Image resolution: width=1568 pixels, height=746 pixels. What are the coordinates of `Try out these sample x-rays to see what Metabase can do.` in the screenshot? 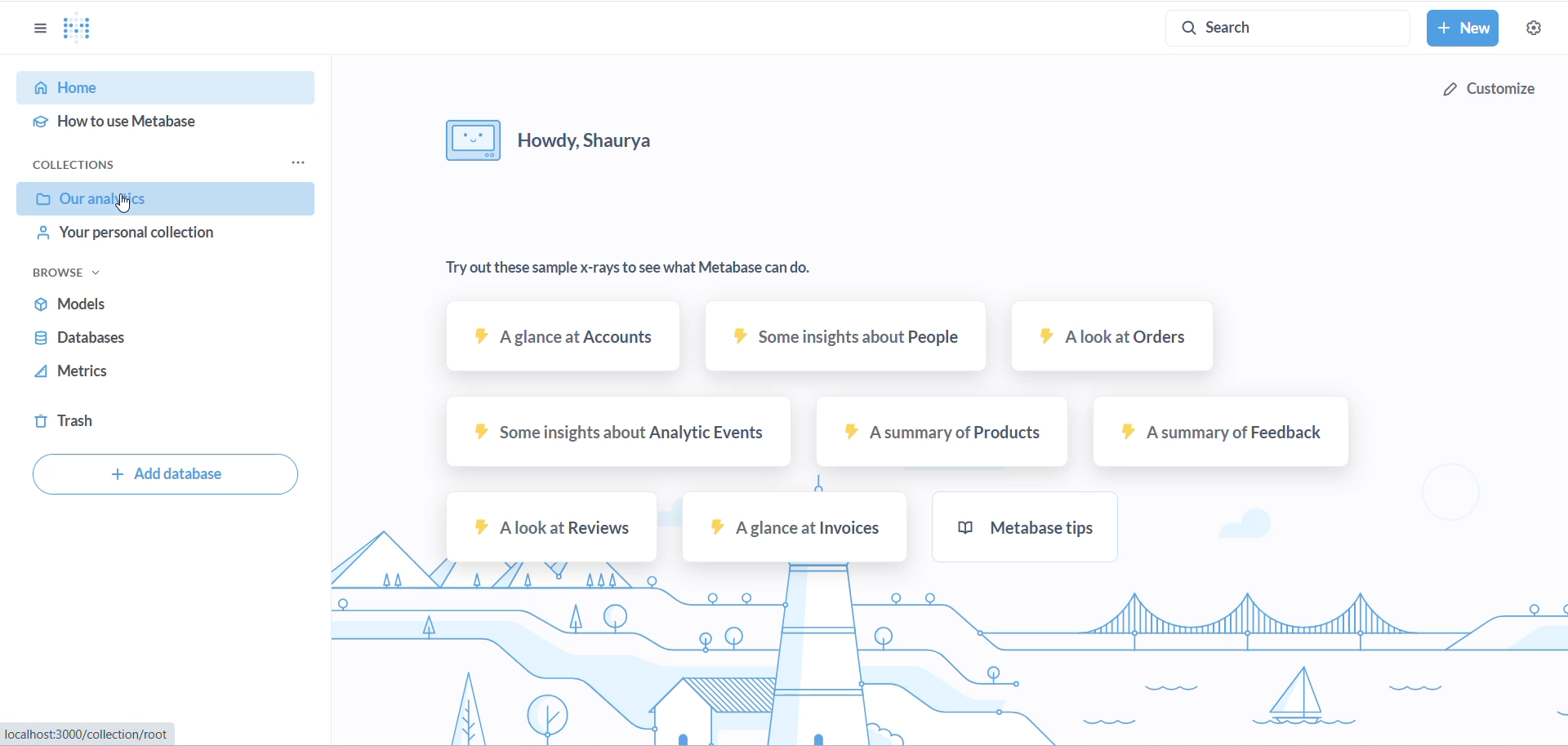 It's located at (636, 268).